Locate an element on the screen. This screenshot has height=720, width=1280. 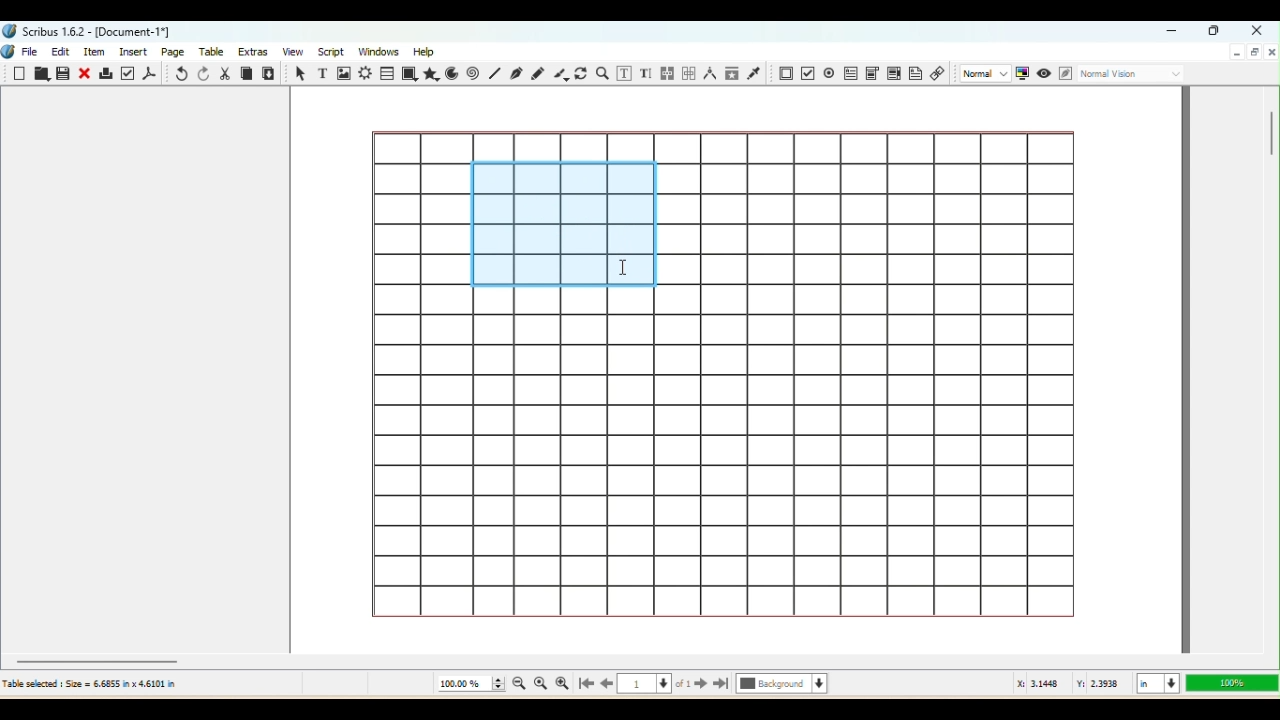
Logo is located at coordinates (9, 53).